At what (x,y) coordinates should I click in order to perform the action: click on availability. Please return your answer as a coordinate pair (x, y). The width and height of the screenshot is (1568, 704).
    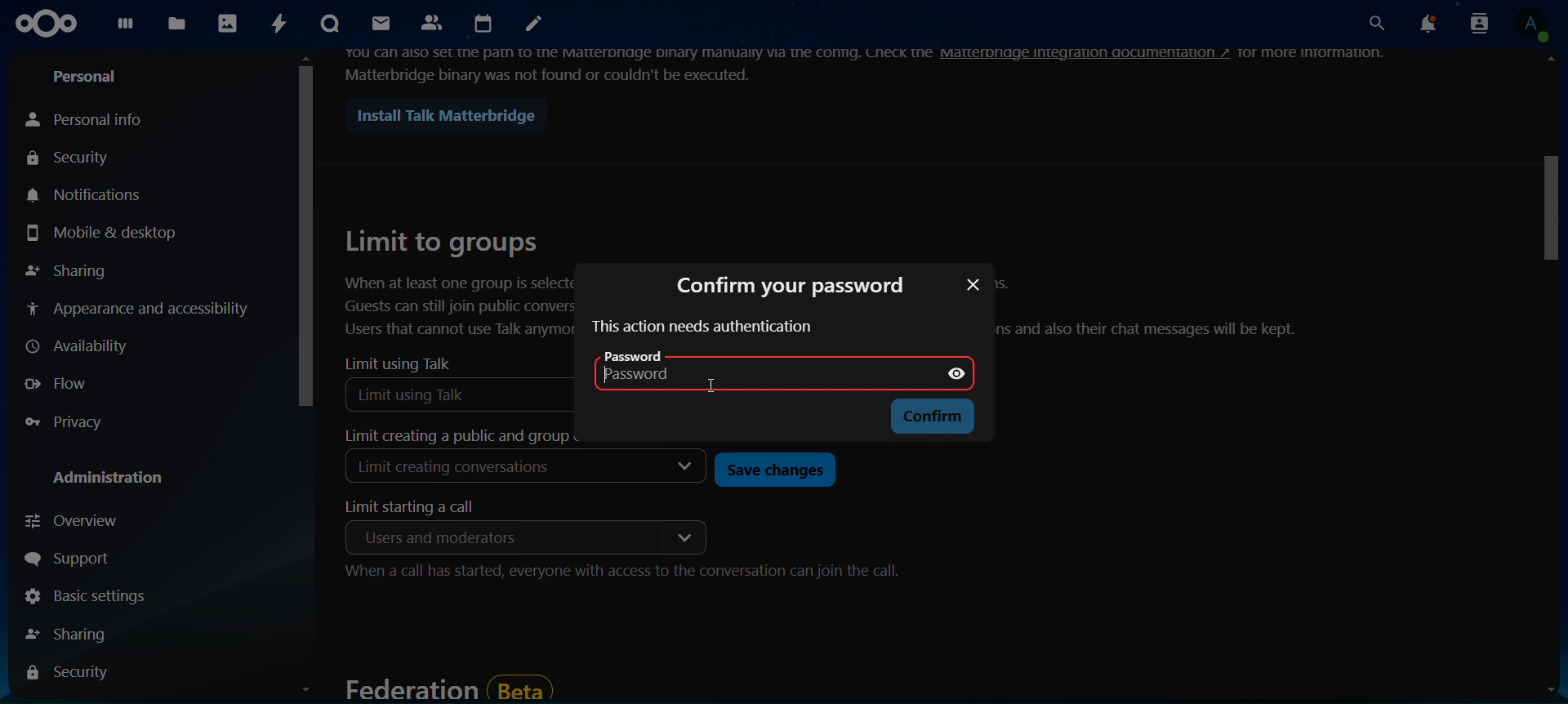
    Looking at the image, I should click on (79, 347).